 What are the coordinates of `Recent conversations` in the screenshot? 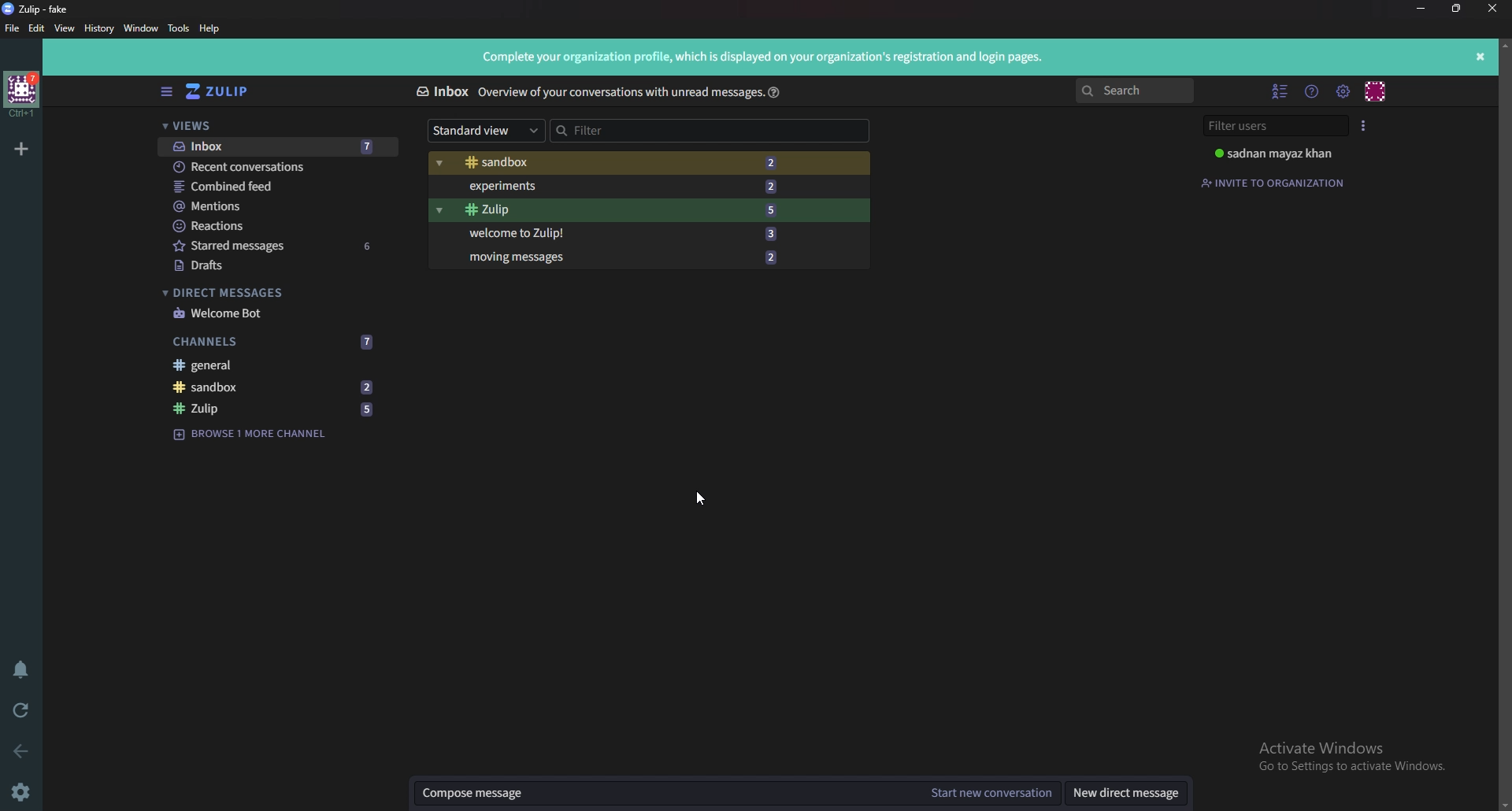 It's located at (274, 168).